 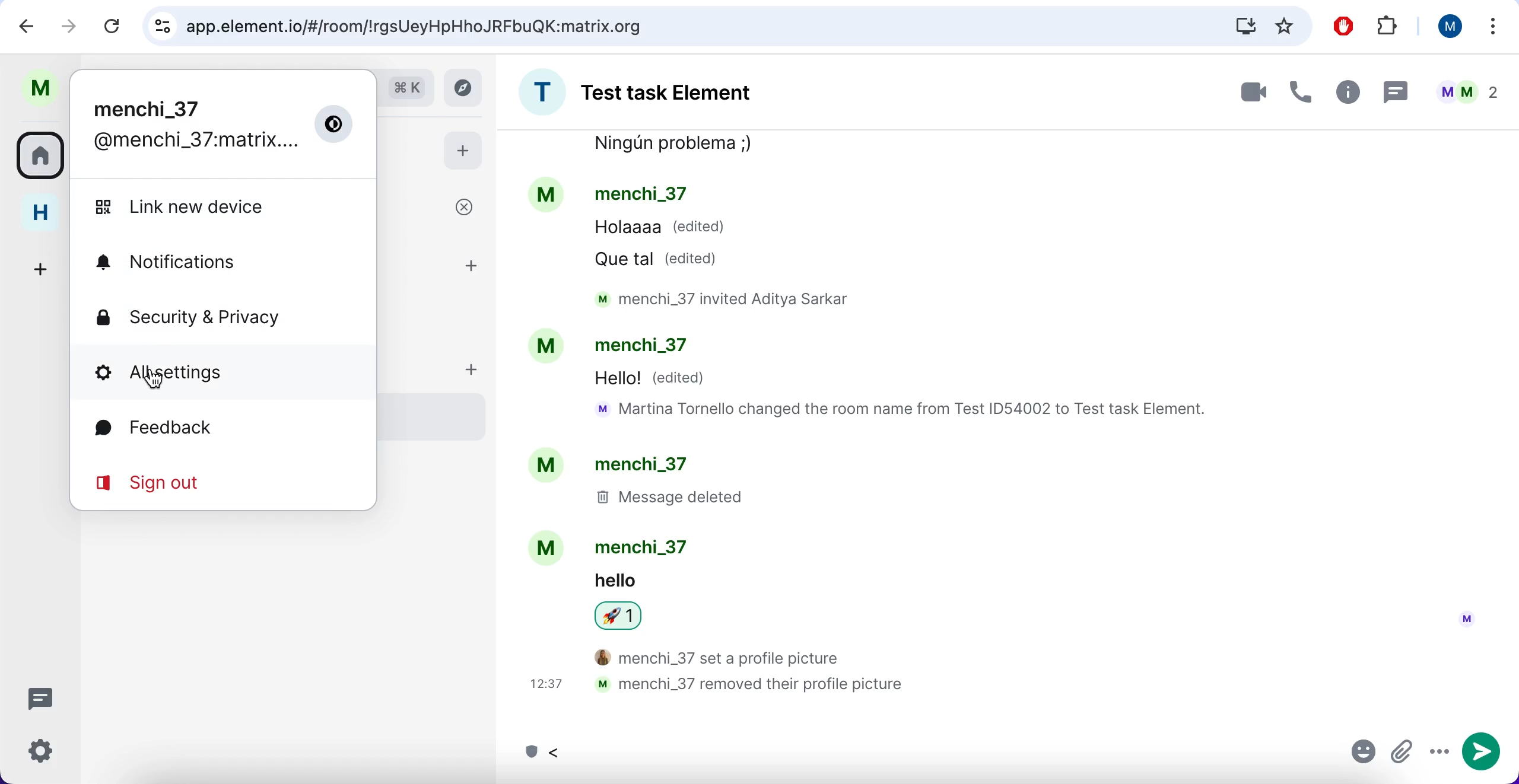 What do you see at coordinates (153, 378) in the screenshot?
I see `cursor` at bounding box center [153, 378].